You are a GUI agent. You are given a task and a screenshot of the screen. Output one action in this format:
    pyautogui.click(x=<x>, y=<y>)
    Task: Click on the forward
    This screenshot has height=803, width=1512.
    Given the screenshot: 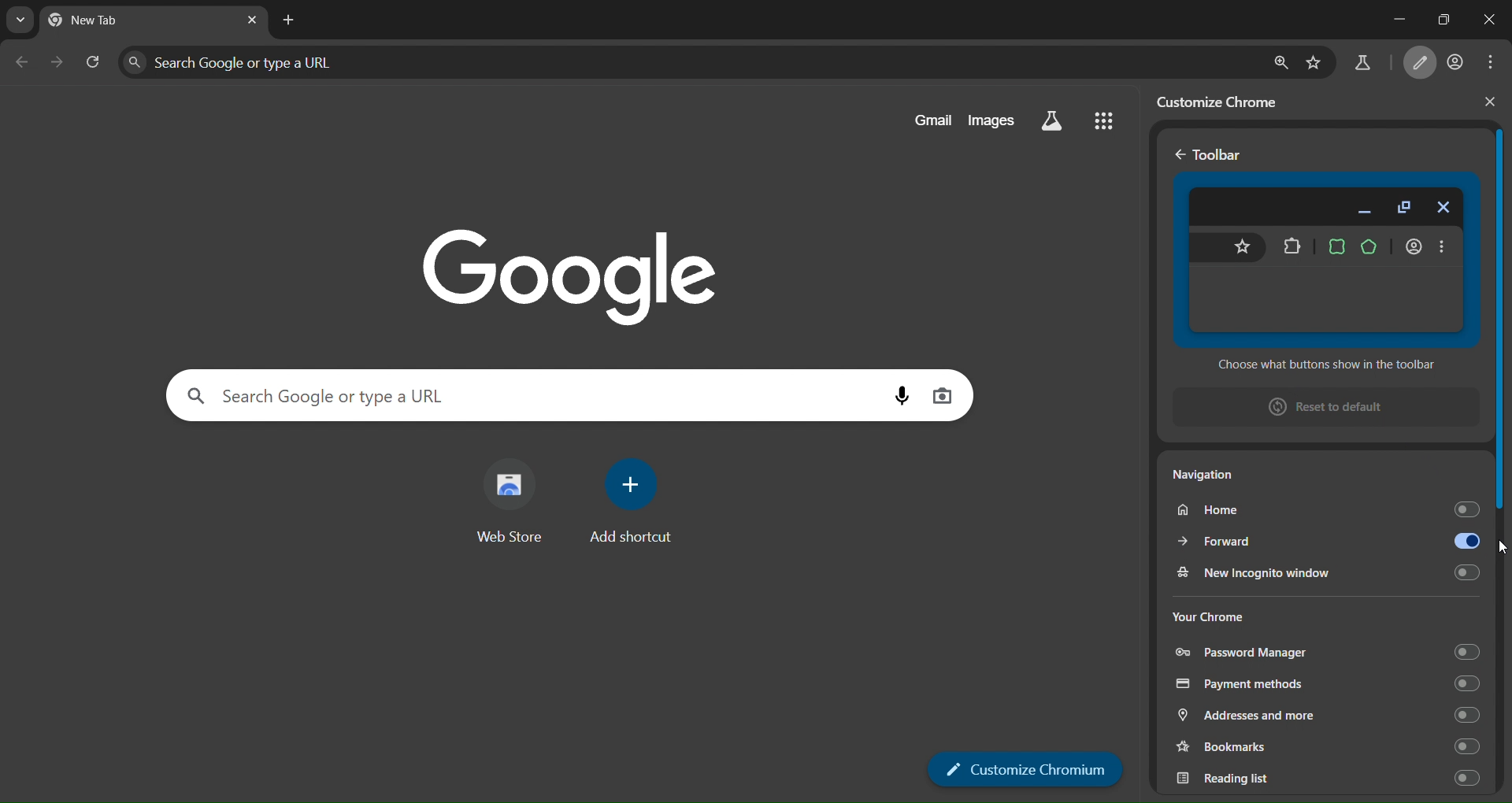 What is the action you would take?
    pyautogui.click(x=1327, y=542)
    